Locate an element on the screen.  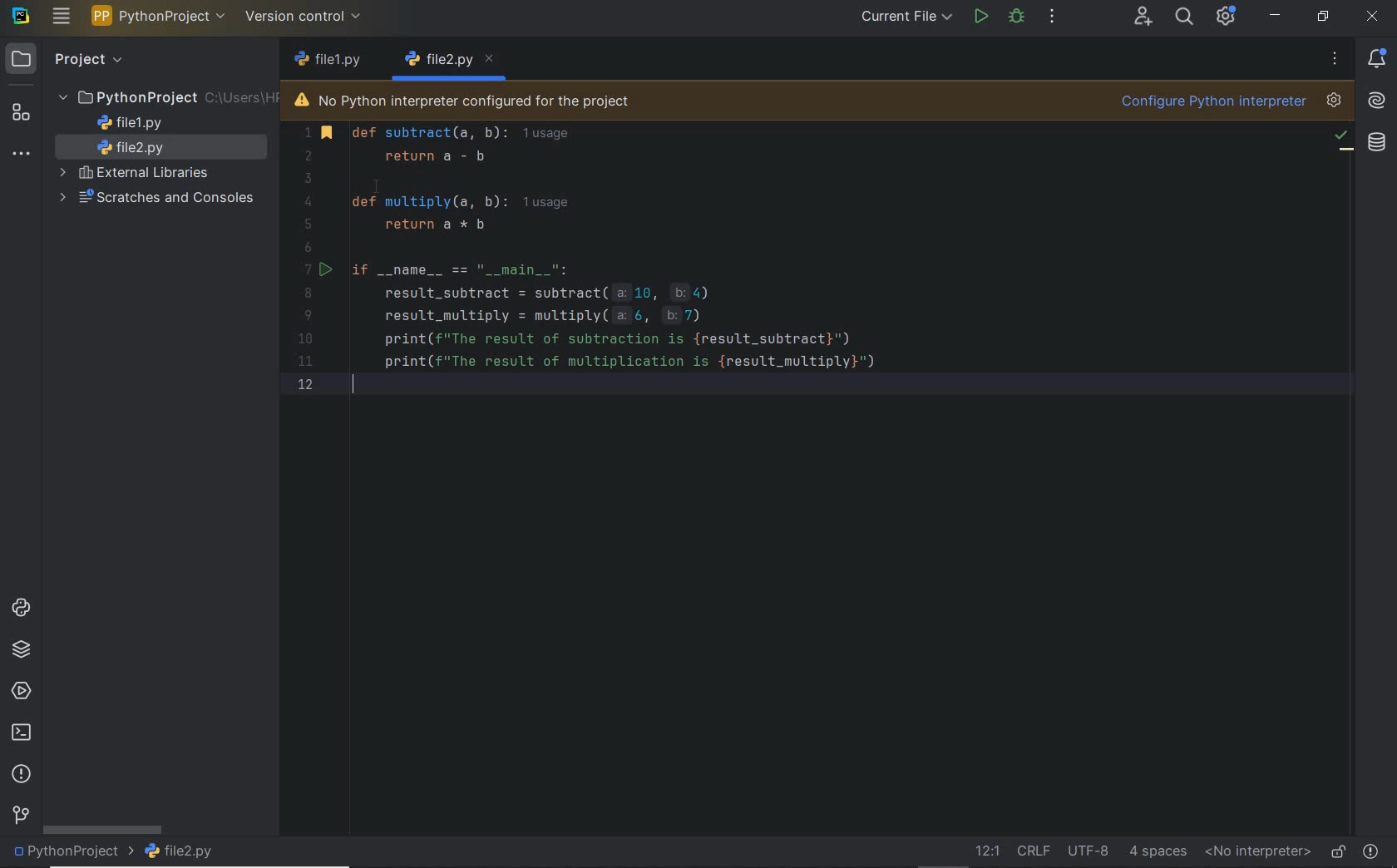
file name 1 is located at coordinates (437, 61).